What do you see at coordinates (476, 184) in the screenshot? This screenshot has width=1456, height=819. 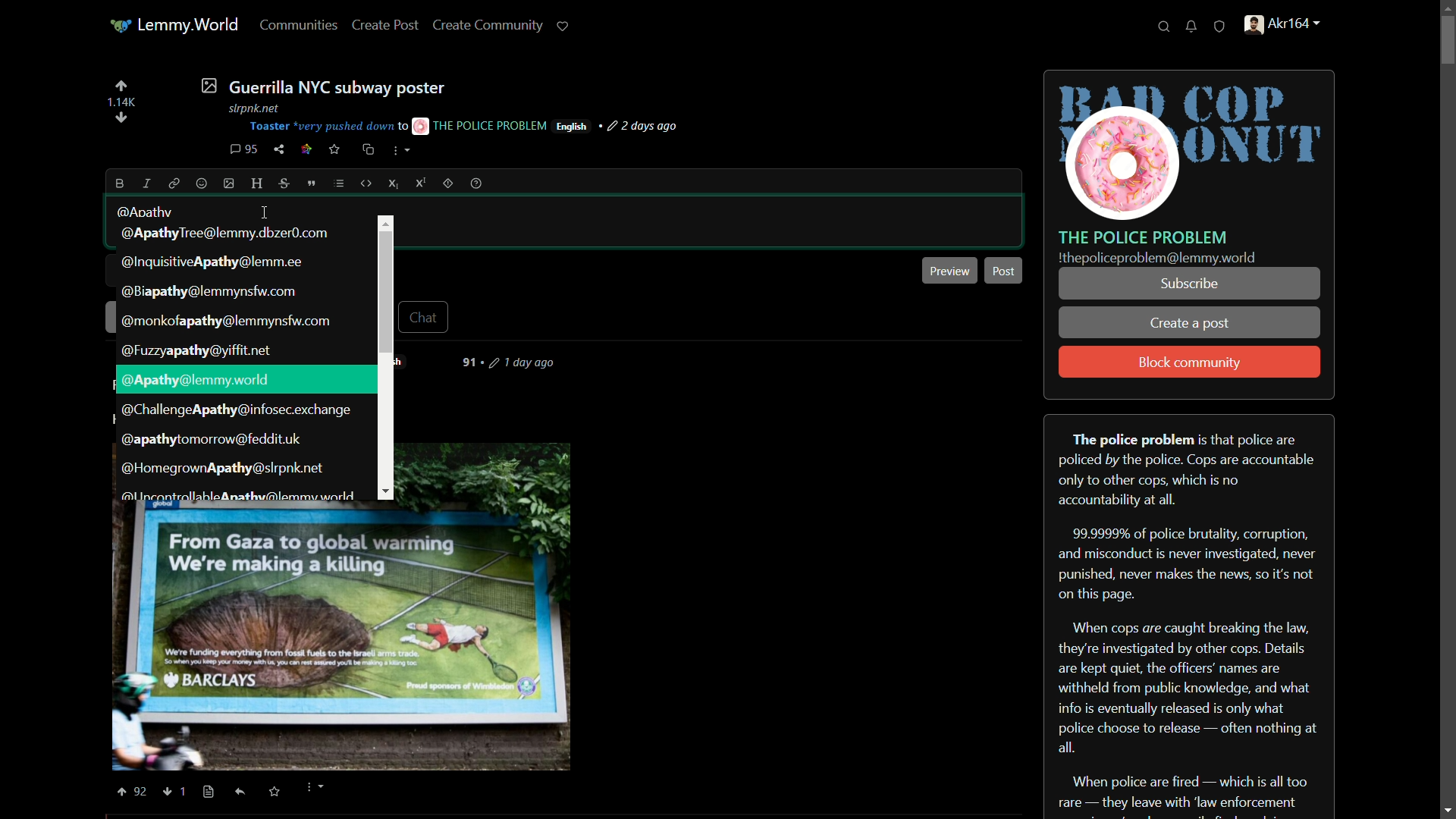 I see `help` at bounding box center [476, 184].